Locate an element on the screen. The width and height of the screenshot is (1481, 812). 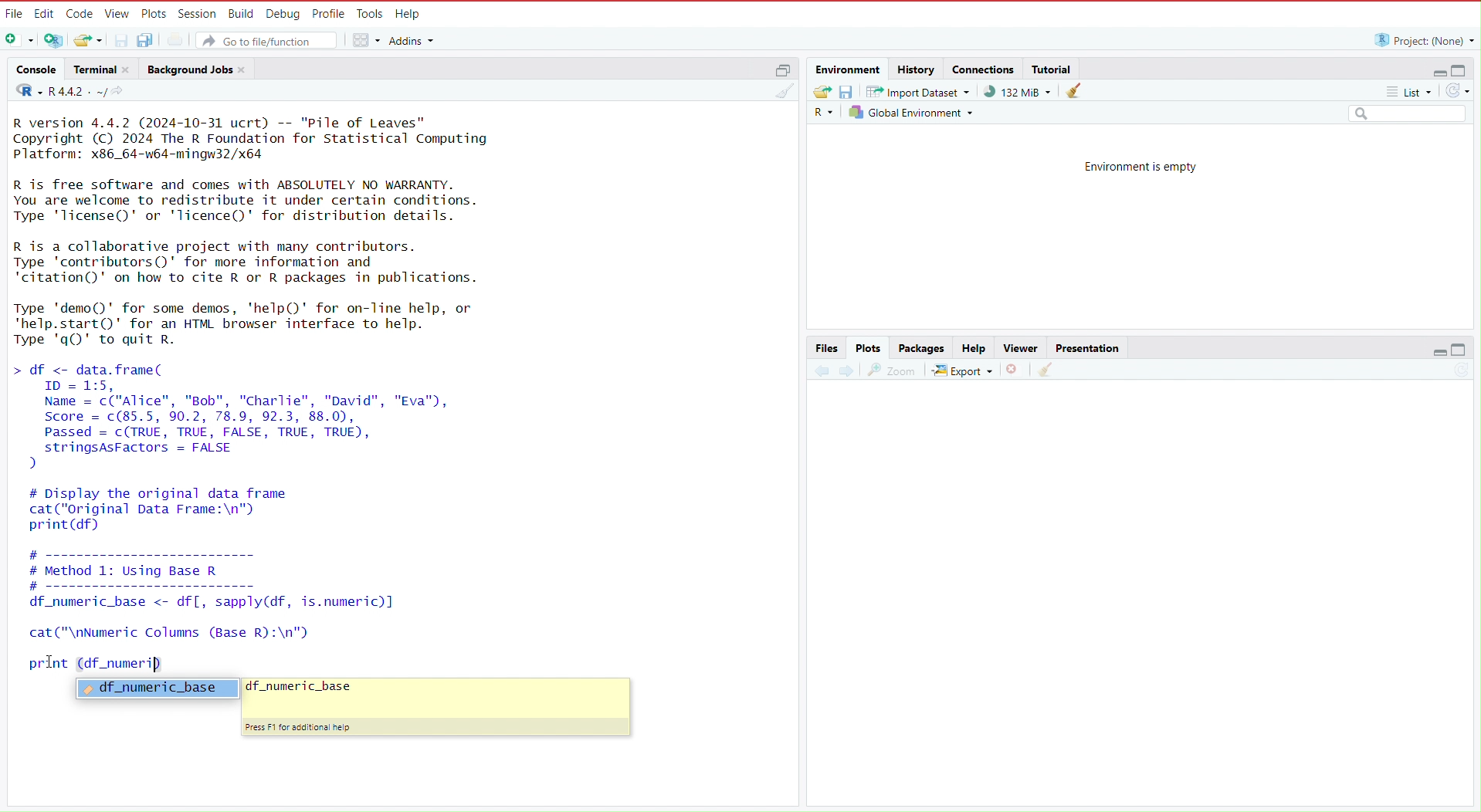
91,132 KiB used by R session is located at coordinates (1016, 92).